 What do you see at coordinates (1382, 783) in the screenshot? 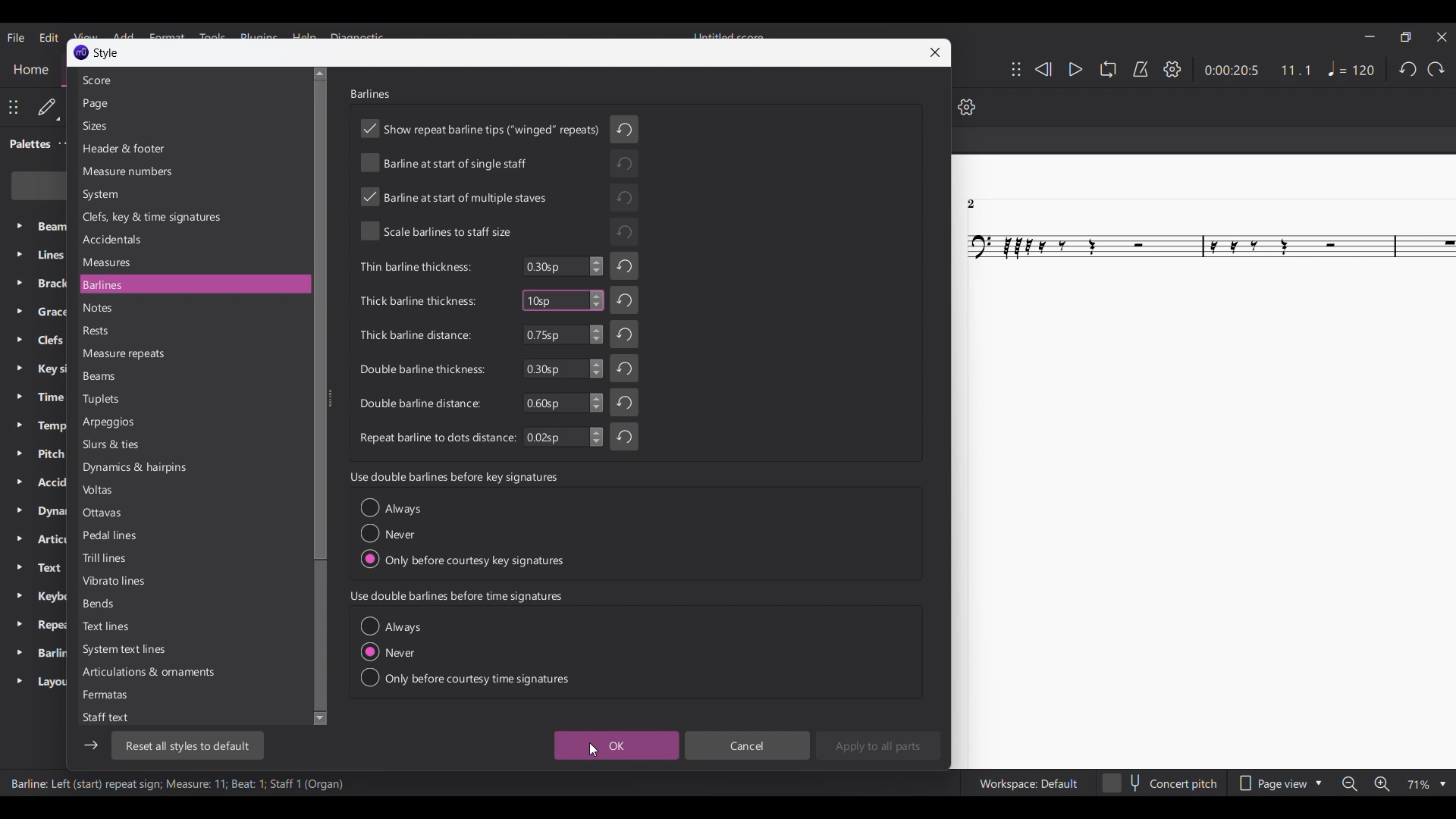
I see `Zoom in` at bounding box center [1382, 783].